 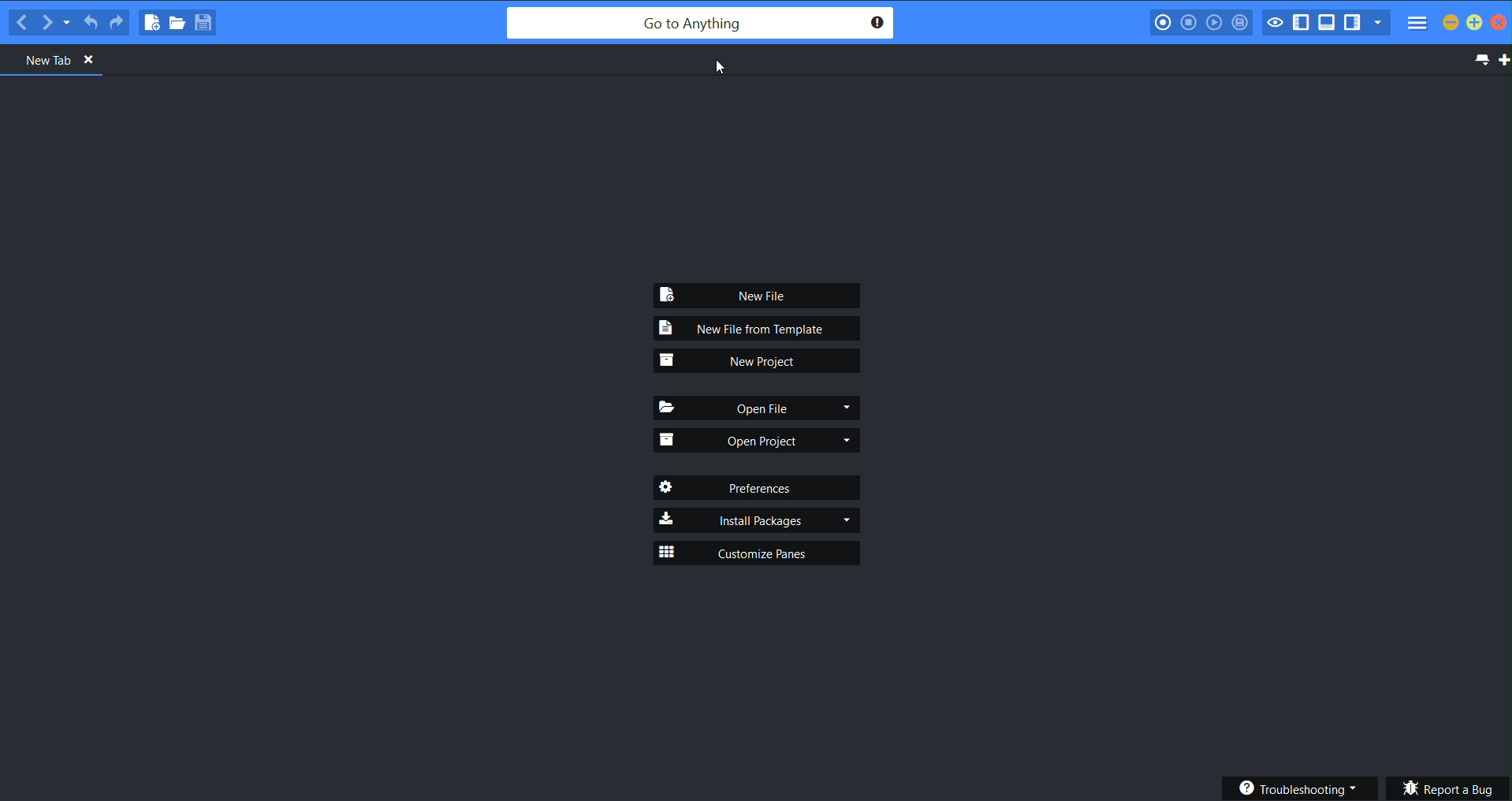 I want to click on close, so click(x=1501, y=24).